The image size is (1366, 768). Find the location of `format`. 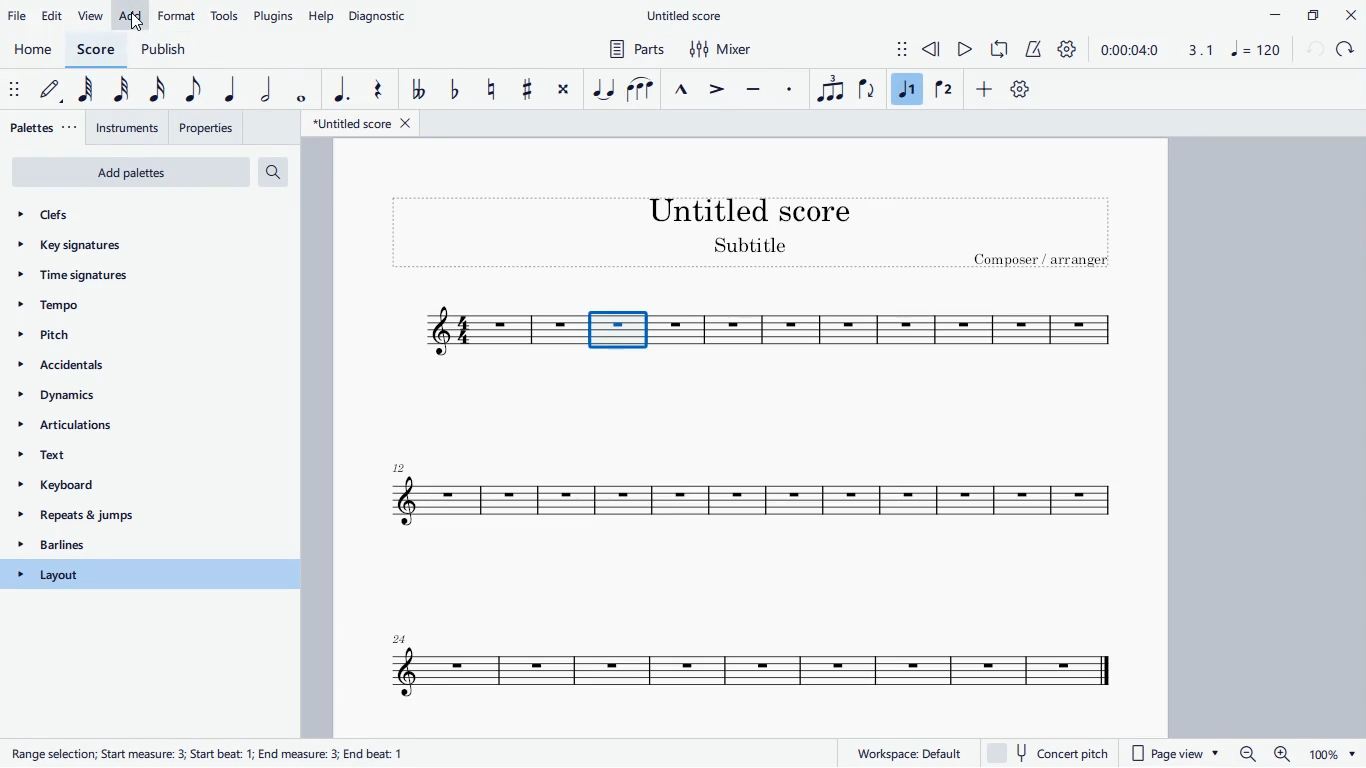

format is located at coordinates (177, 14).